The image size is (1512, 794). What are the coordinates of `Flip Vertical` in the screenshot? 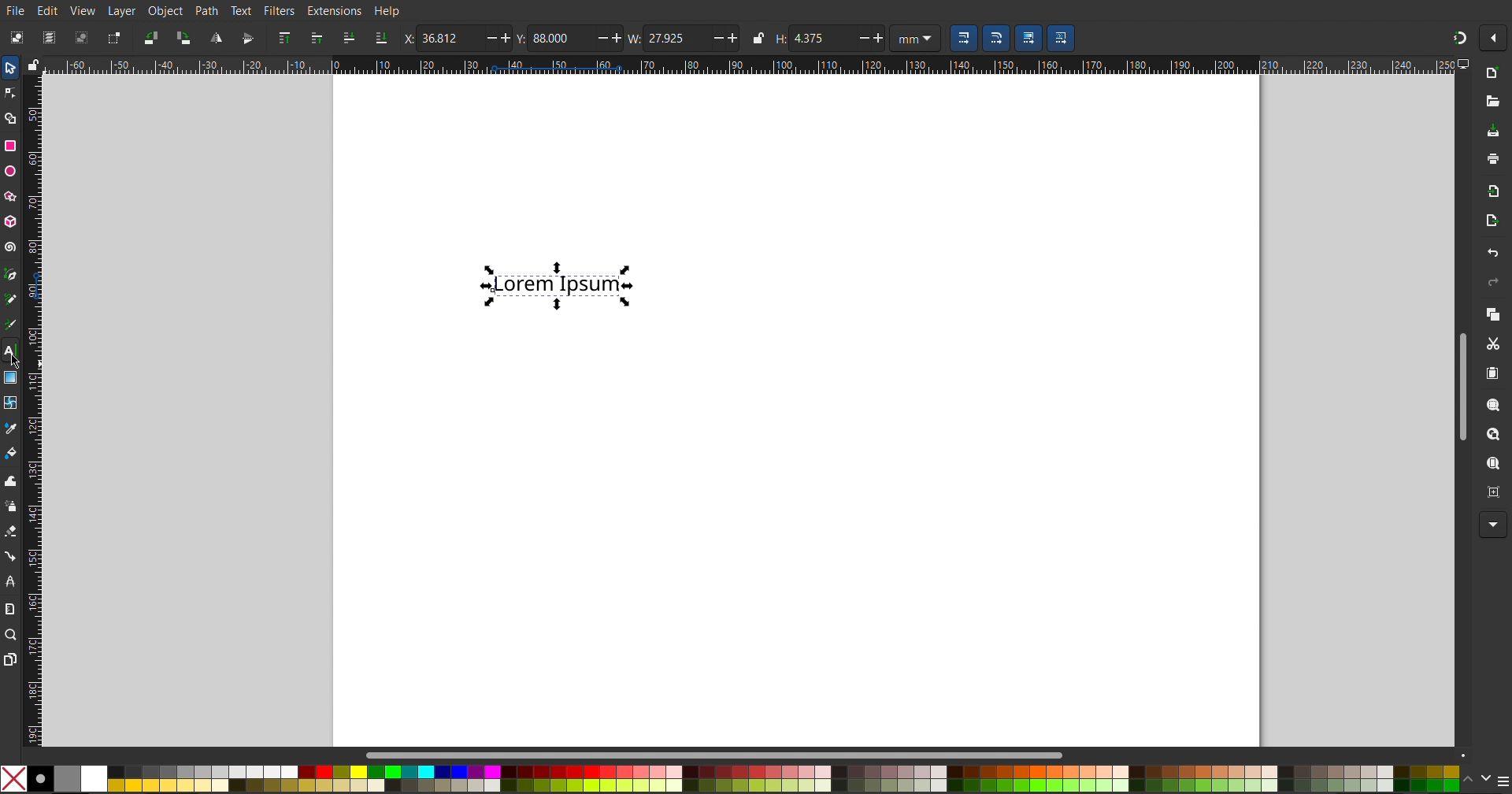 It's located at (246, 38).